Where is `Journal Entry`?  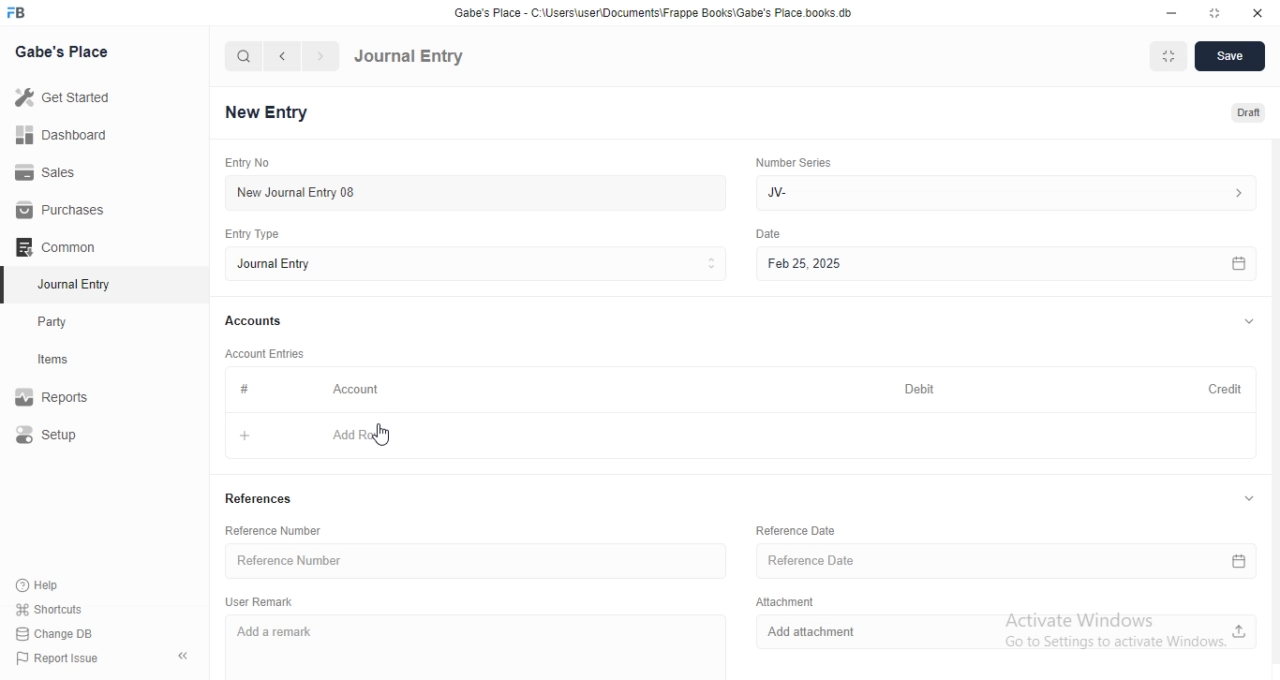 Journal Entry is located at coordinates (410, 57).